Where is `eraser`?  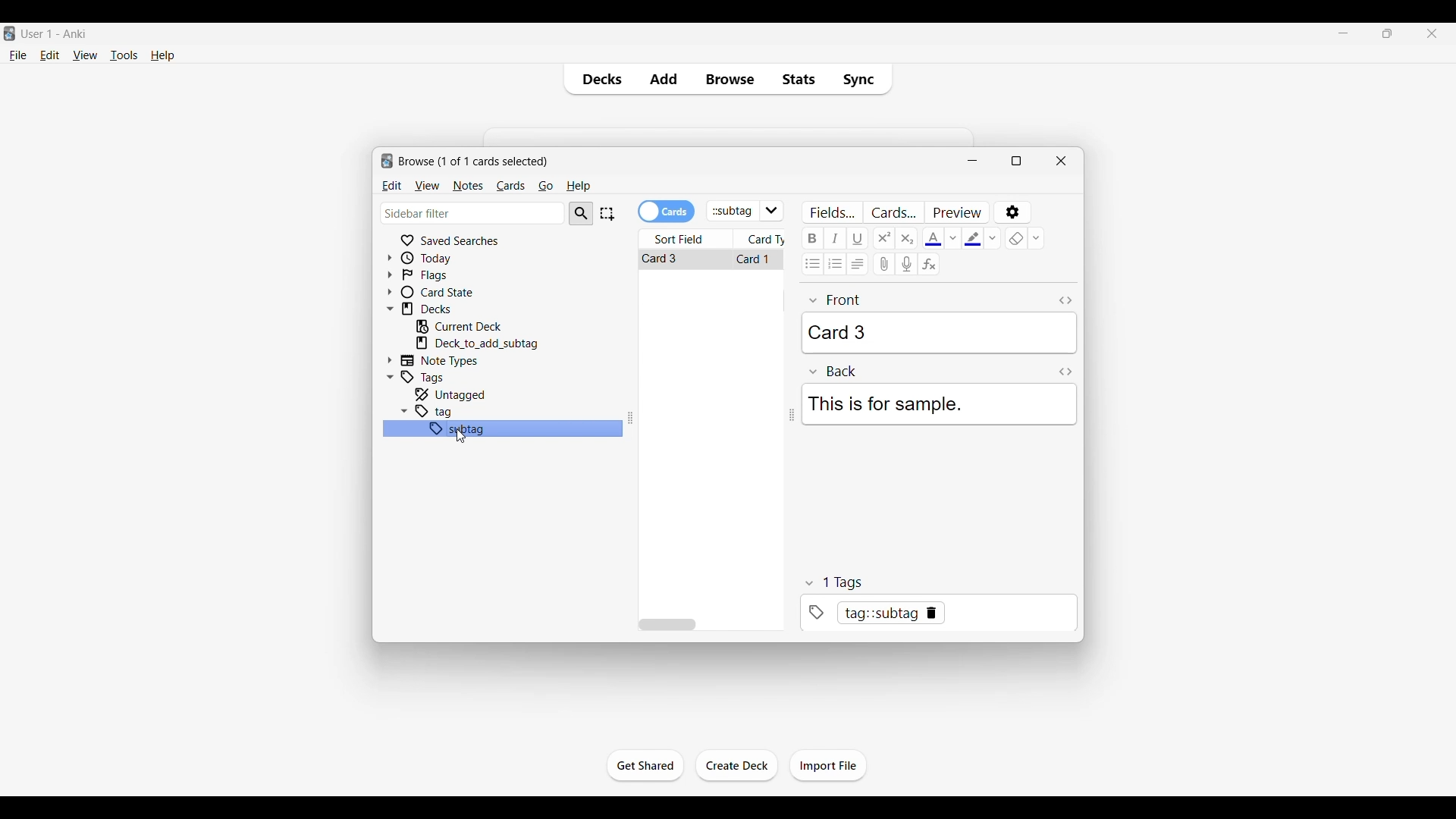
eraser is located at coordinates (1016, 238).